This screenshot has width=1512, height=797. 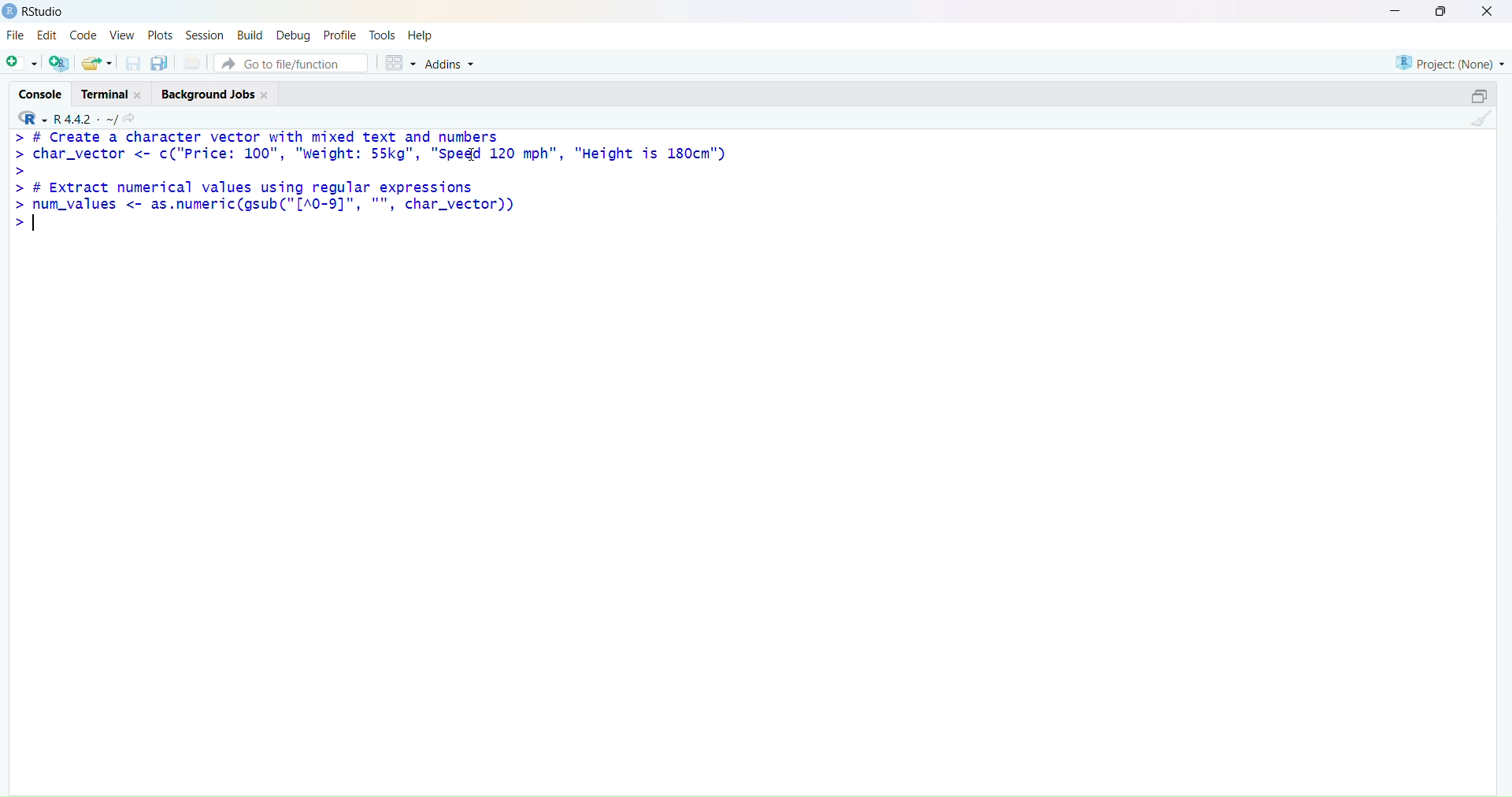 I want to click on terminal, so click(x=106, y=94).